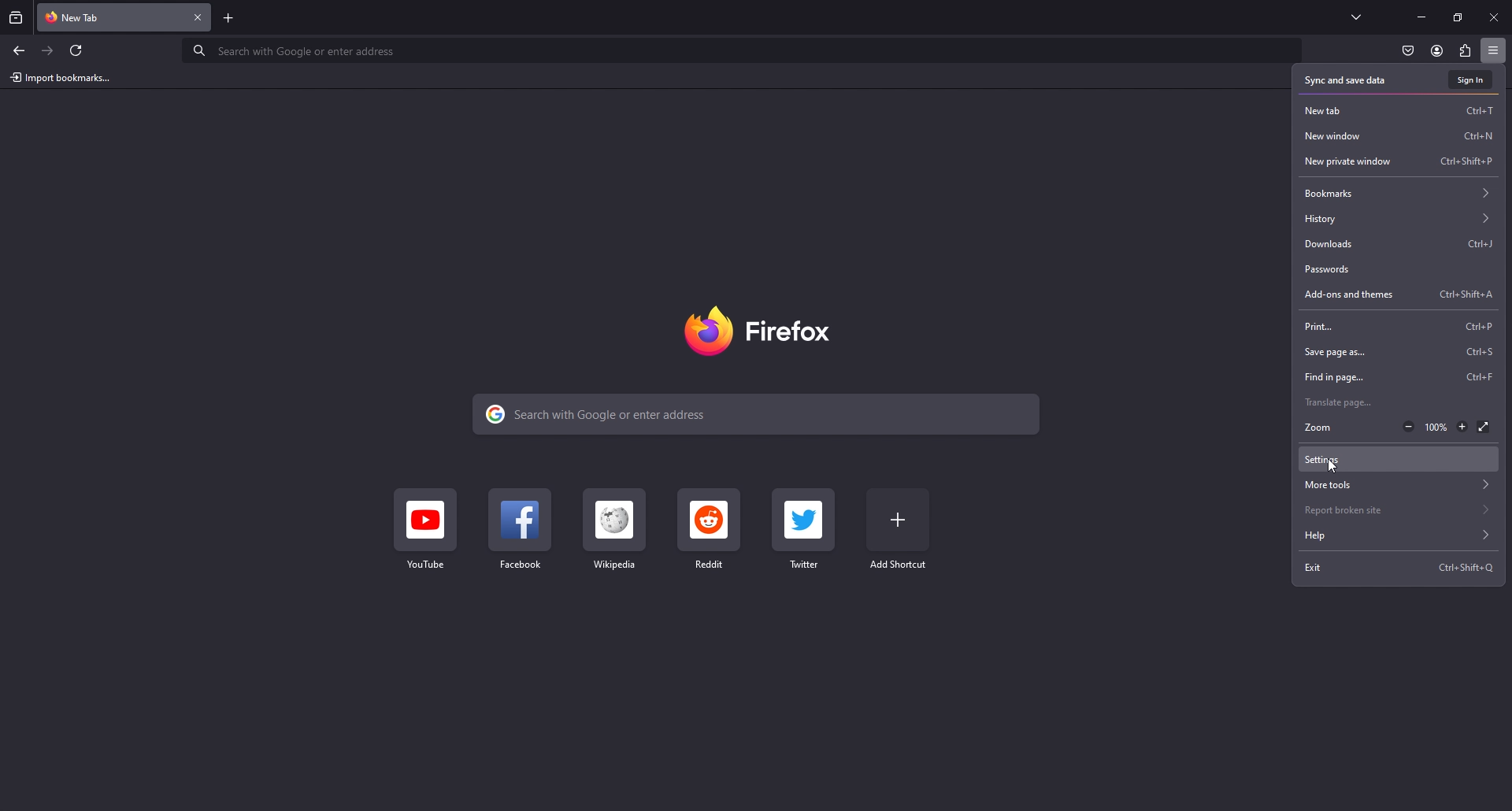 This screenshot has width=1512, height=811. I want to click on reddit, so click(710, 530).